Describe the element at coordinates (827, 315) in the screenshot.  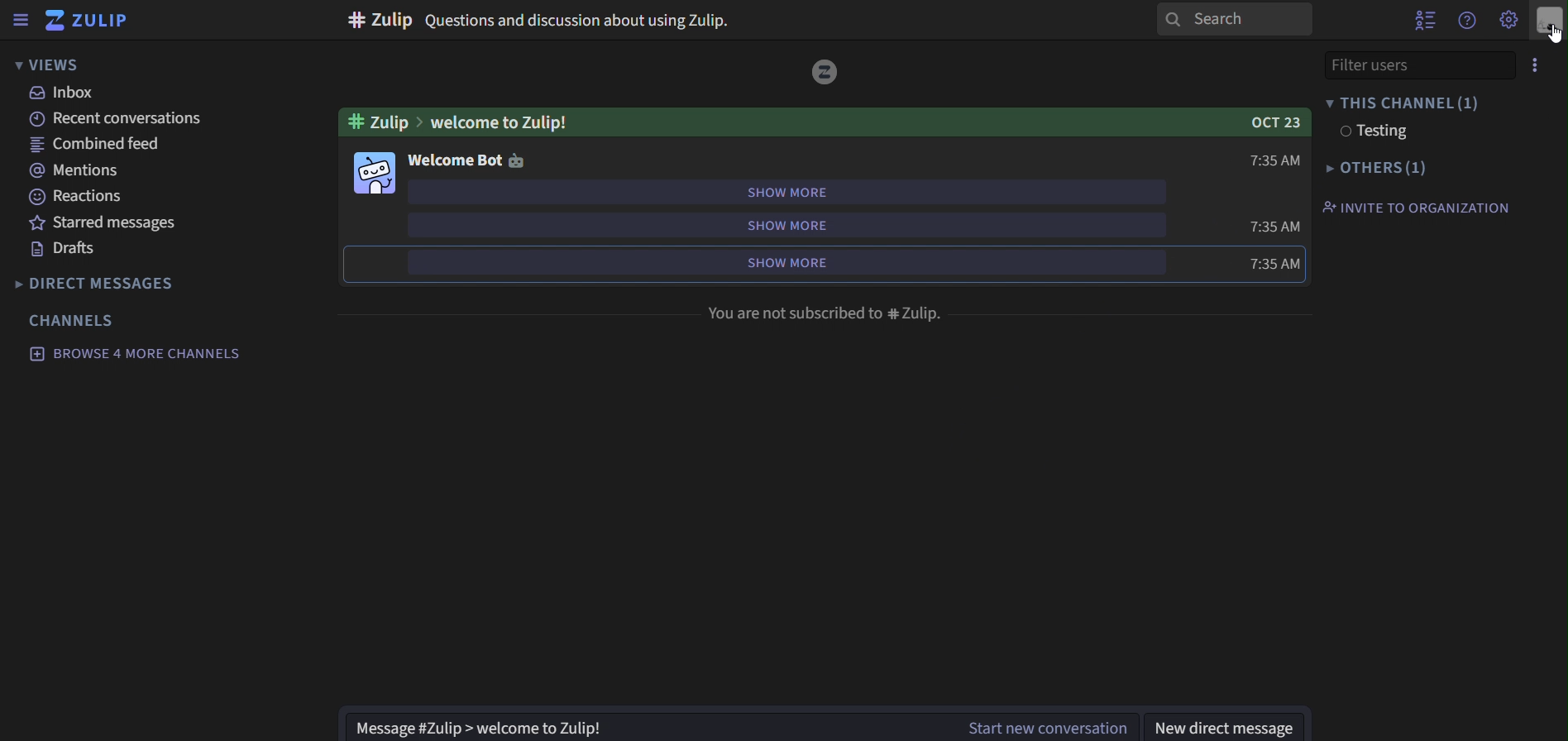
I see `You are not subscribed to #Zulip.` at that location.